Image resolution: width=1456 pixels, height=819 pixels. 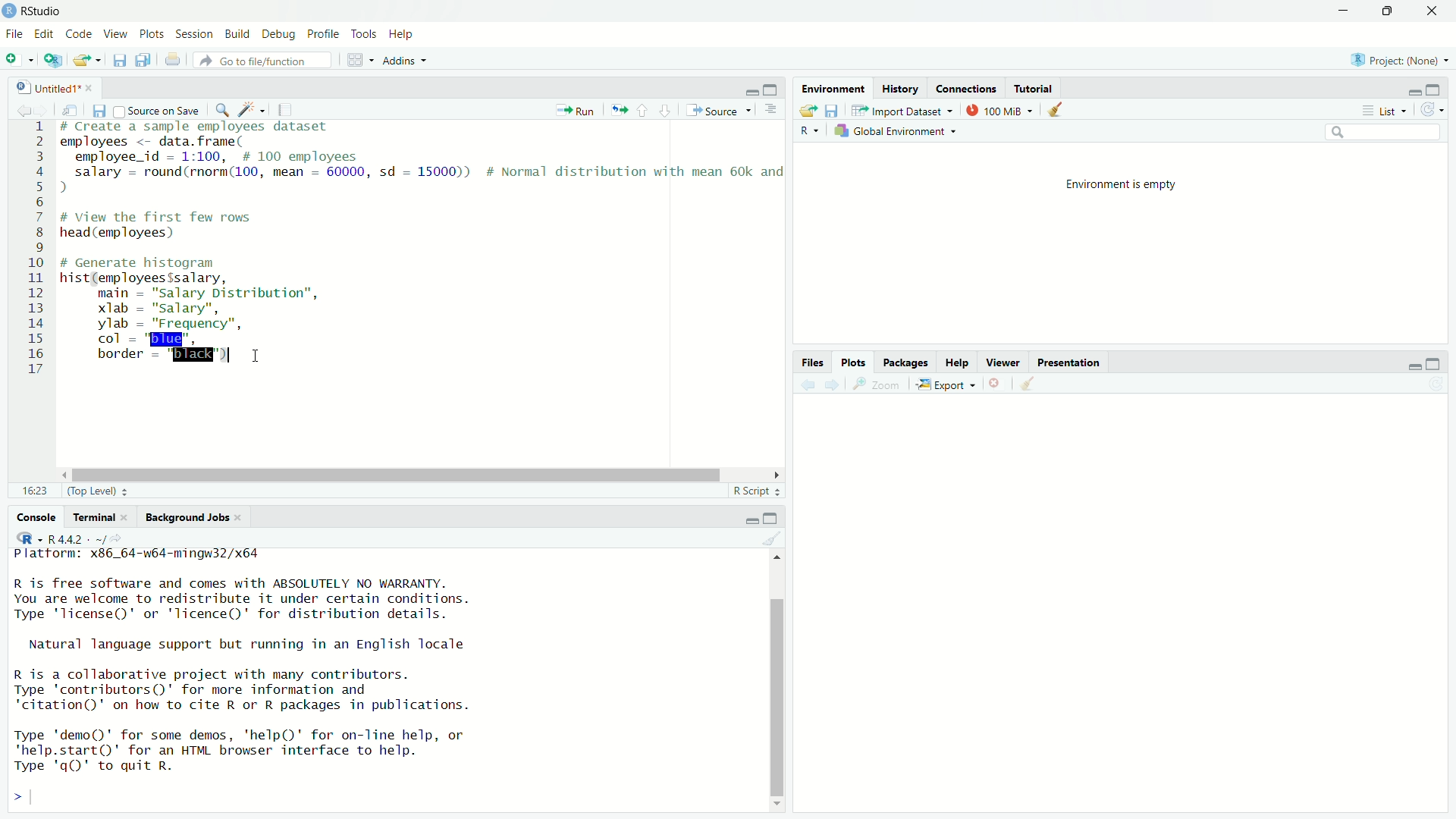 What do you see at coordinates (807, 111) in the screenshot?
I see `file` at bounding box center [807, 111].